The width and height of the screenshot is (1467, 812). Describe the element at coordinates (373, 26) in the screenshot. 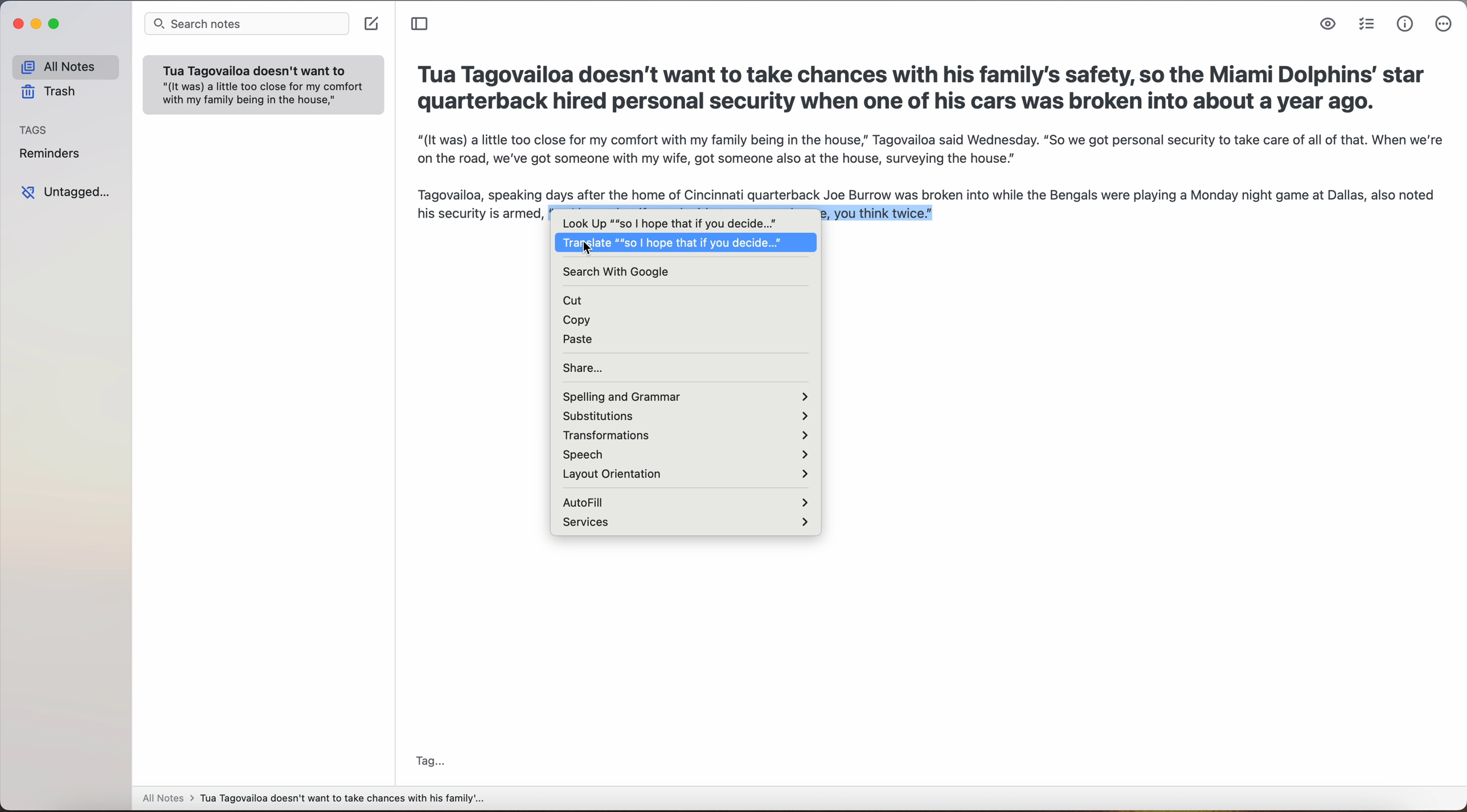

I see `create note` at that location.